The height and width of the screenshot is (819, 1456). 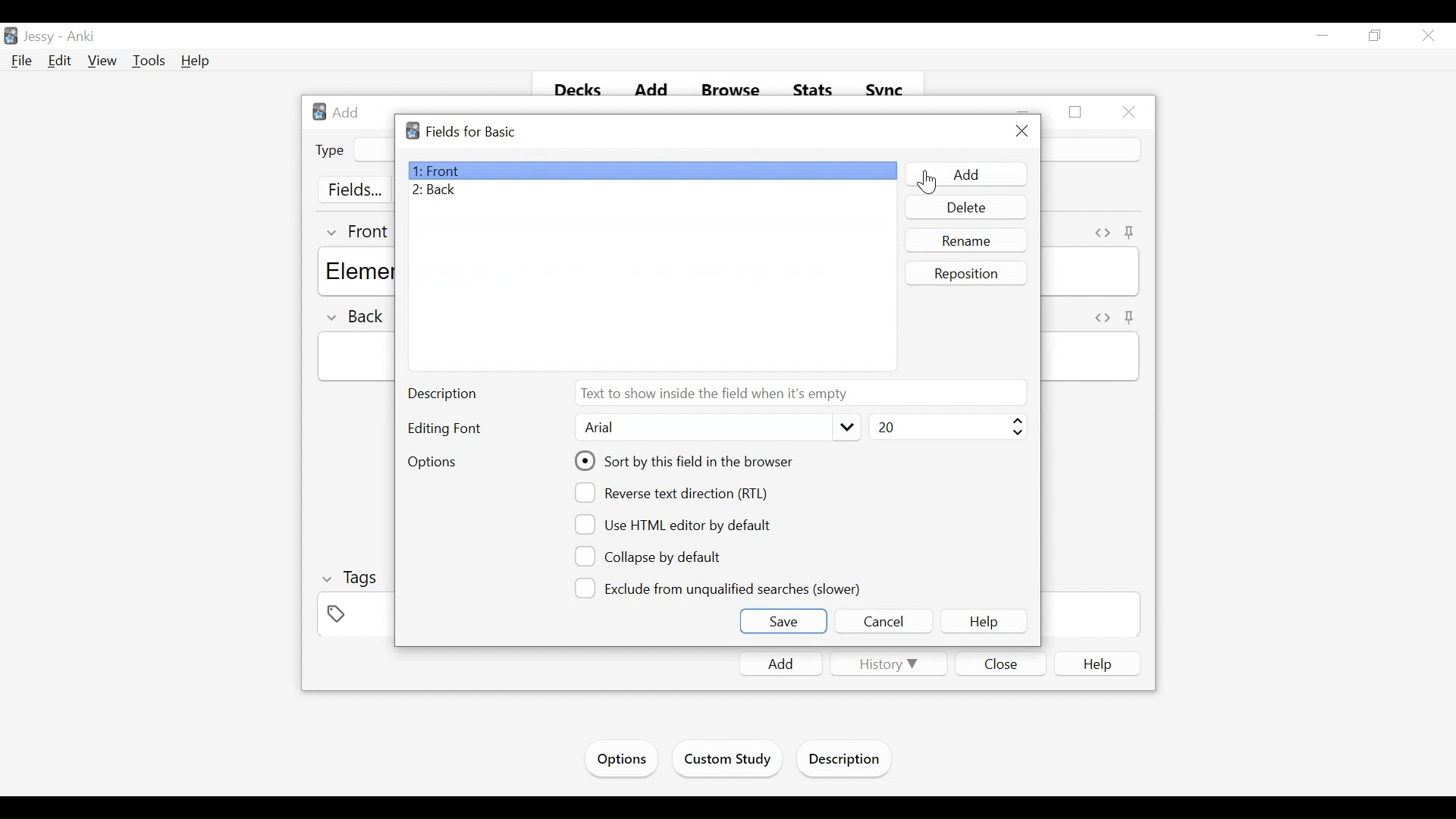 What do you see at coordinates (947, 427) in the screenshot?
I see `Select Font Size` at bounding box center [947, 427].